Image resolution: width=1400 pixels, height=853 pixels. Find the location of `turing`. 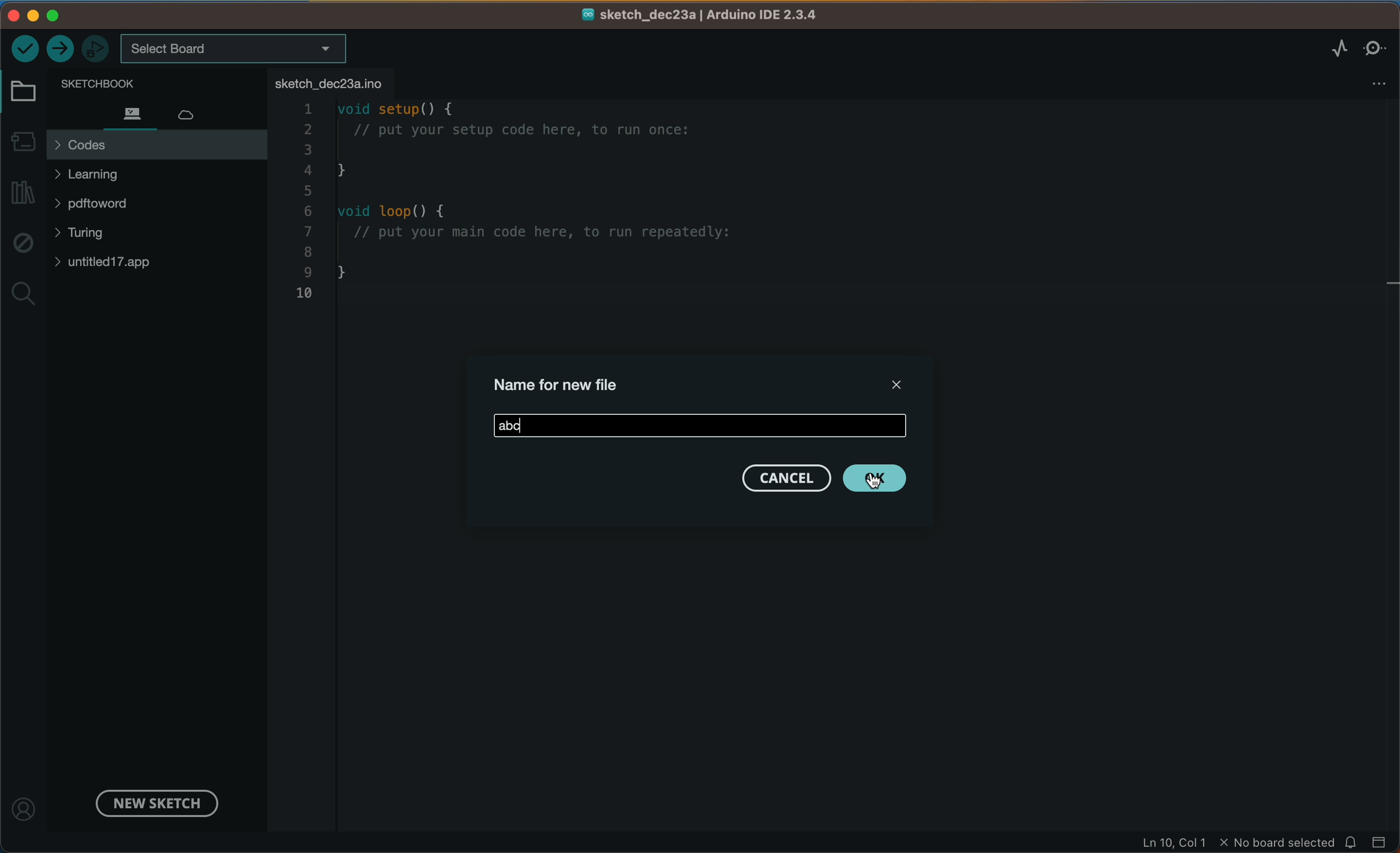

turing is located at coordinates (88, 235).